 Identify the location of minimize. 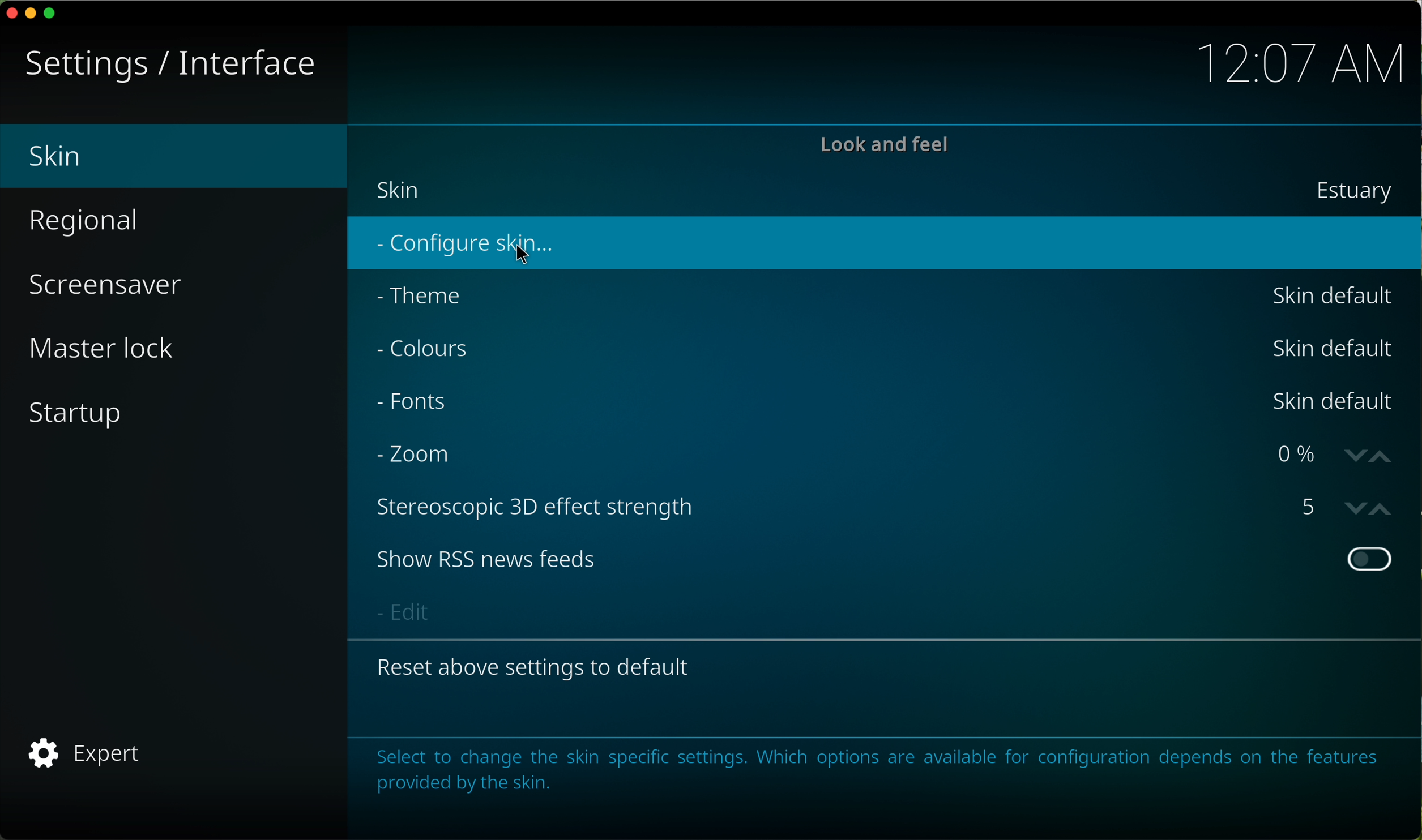
(31, 17).